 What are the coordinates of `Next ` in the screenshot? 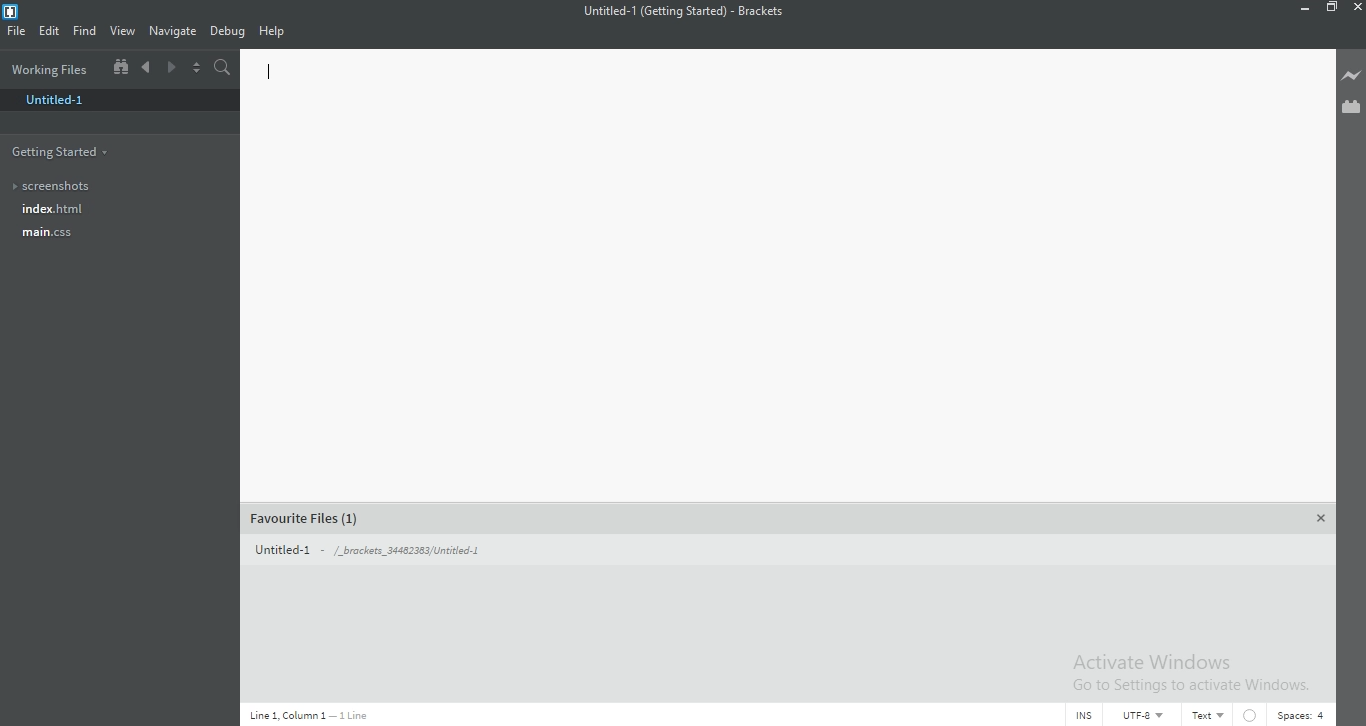 It's located at (173, 68).